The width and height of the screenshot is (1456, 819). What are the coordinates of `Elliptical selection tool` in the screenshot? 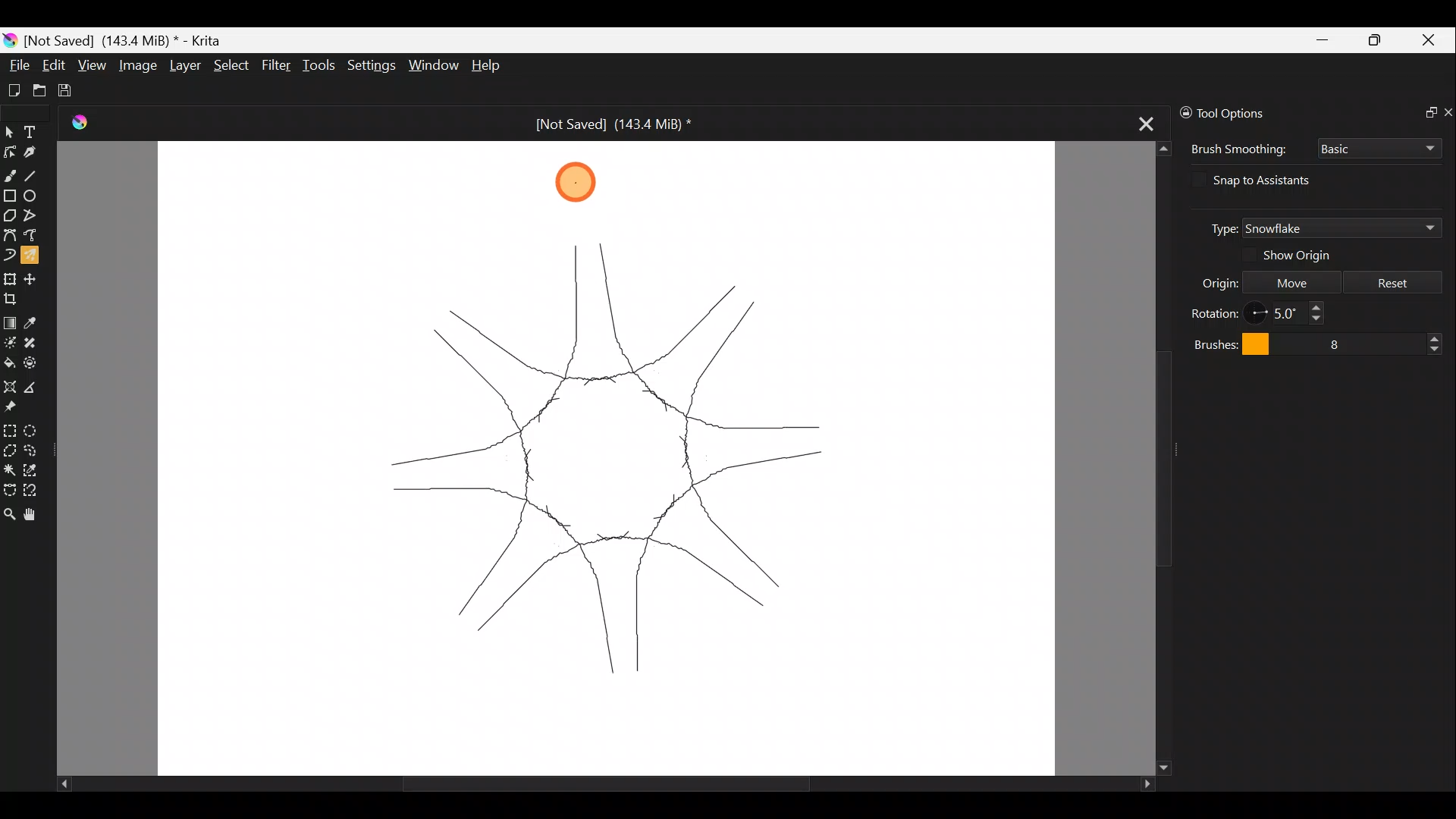 It's located at (35, 428).